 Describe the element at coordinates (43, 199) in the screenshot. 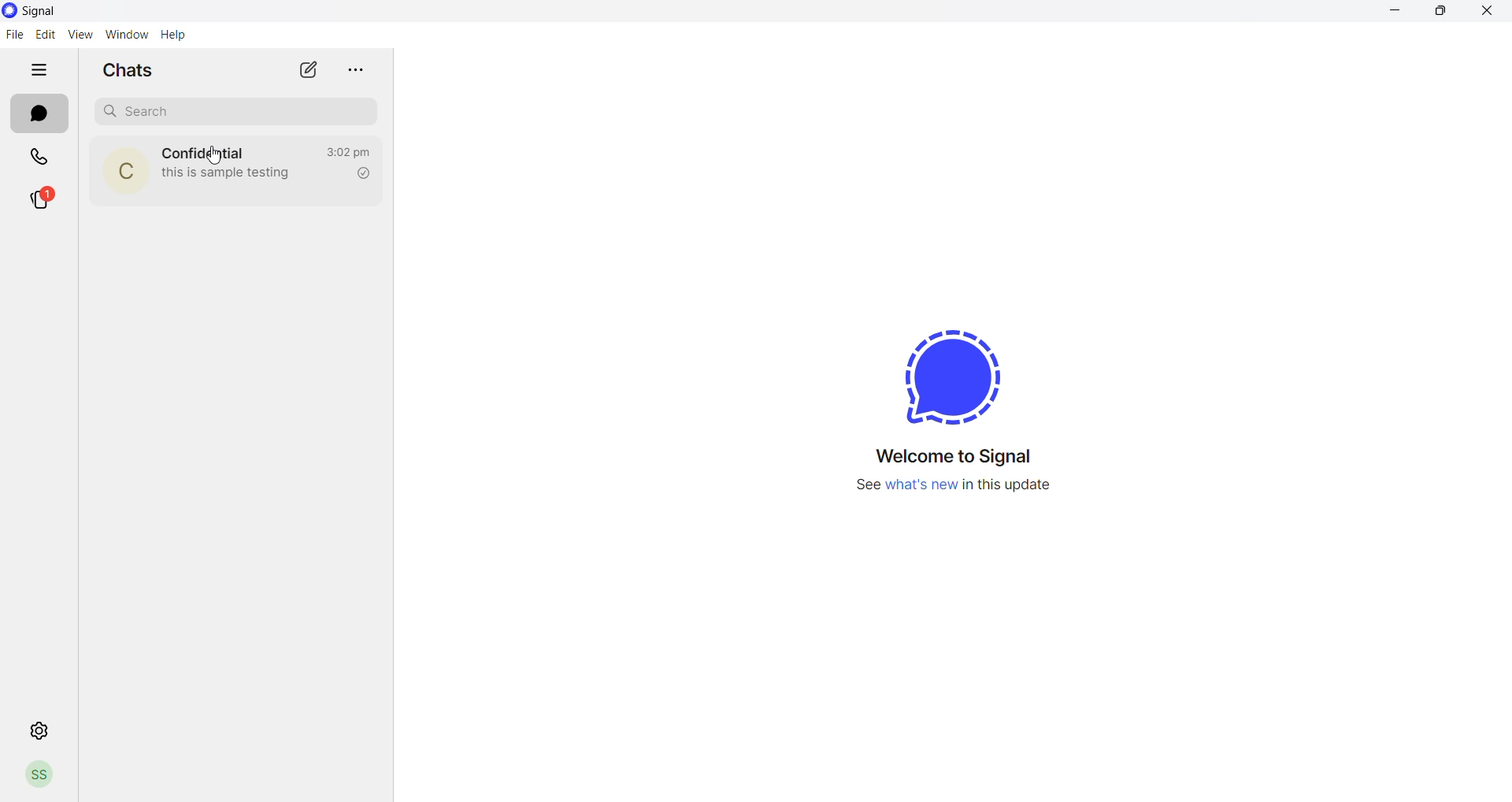

I see `stories` at that location.